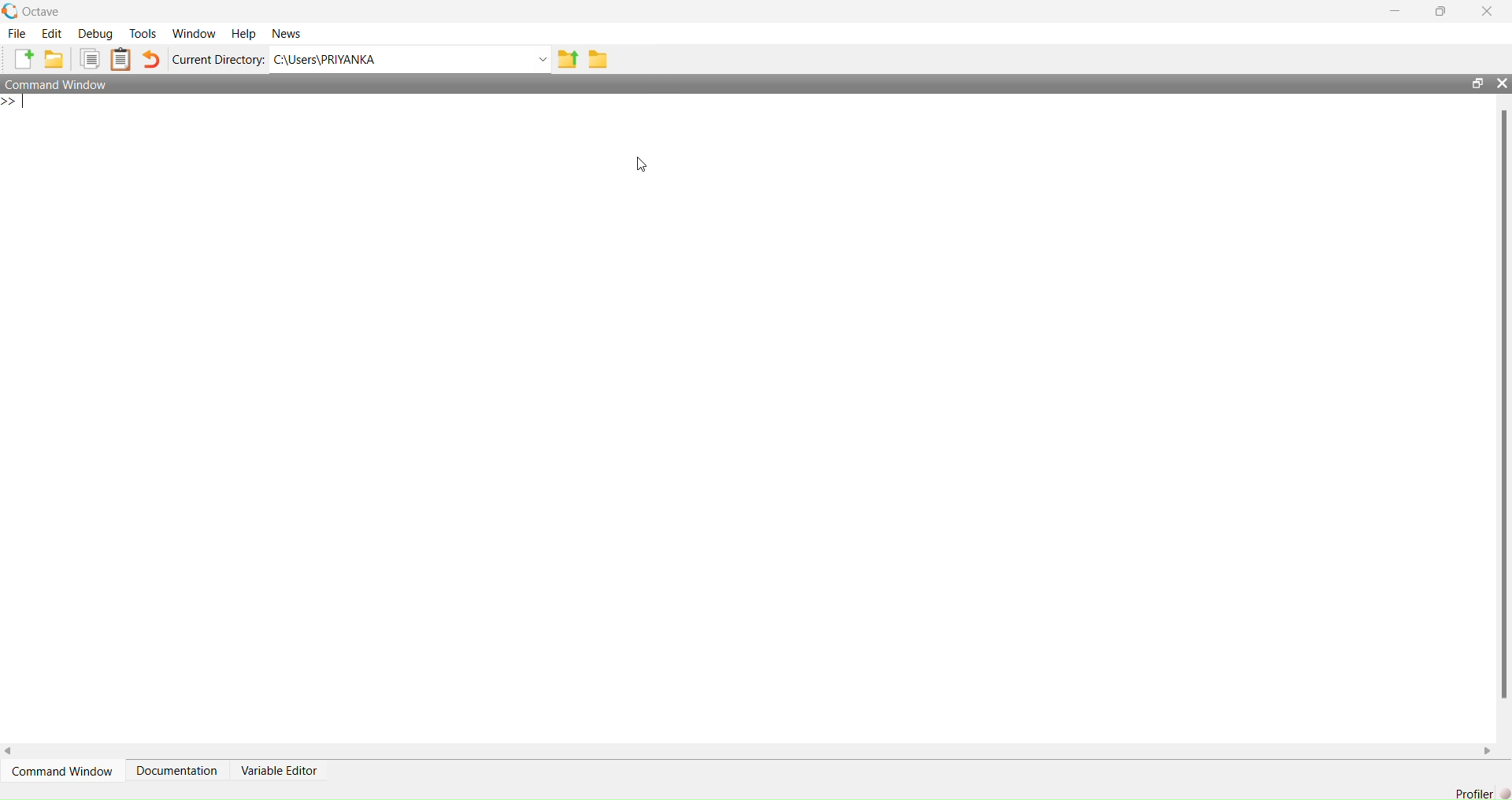 This screenshot has height=800, width=1512. Describe the element at coordinates (332, 60) in the screenshot. I see `C:\Users\PRIYANKA` at that location.